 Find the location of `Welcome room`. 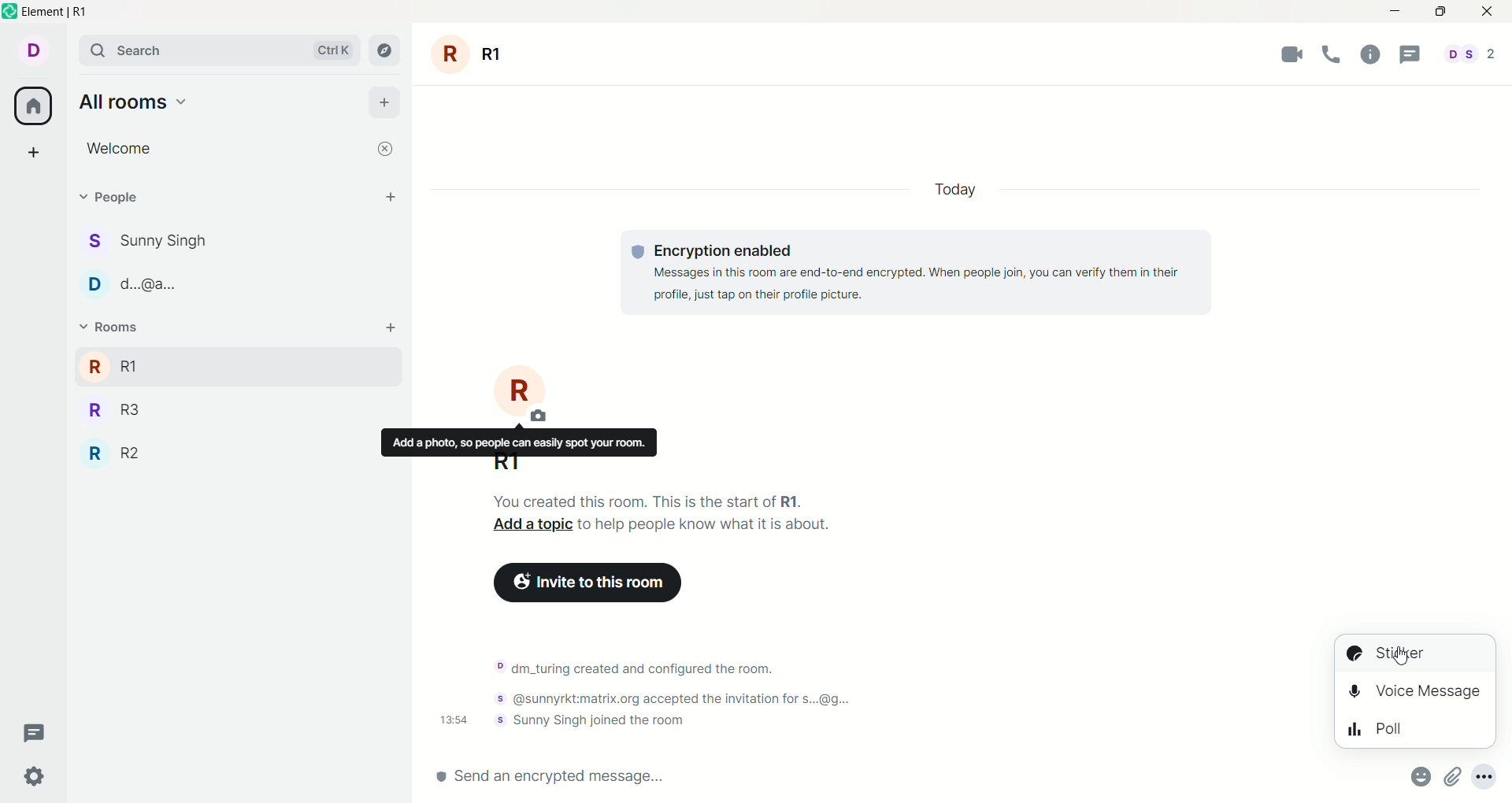

Welcome room is located at coordinates (224, 149).